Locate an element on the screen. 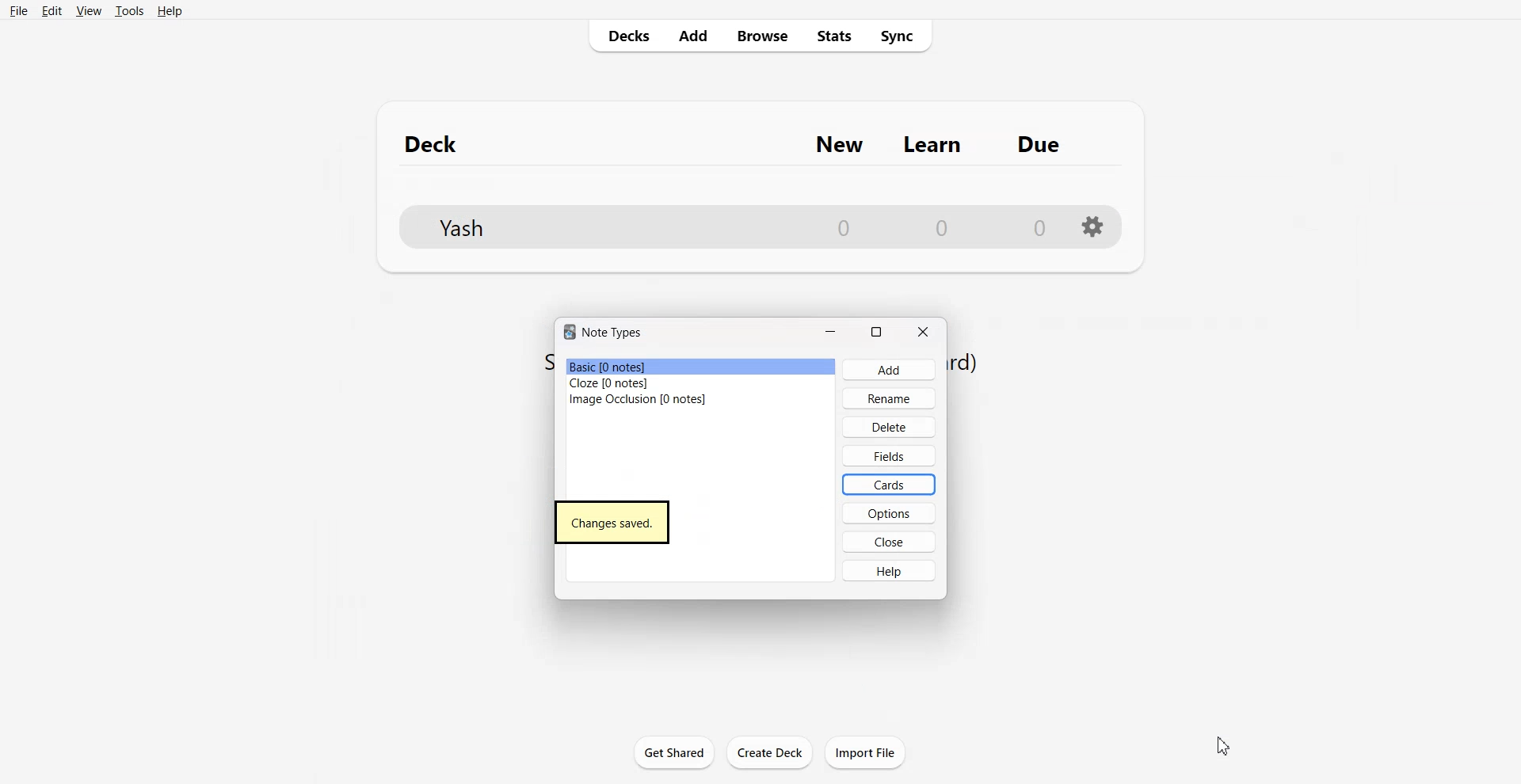 The height and width of the screenshot is (784, 1521). Close is located at coordinates (888, 542).